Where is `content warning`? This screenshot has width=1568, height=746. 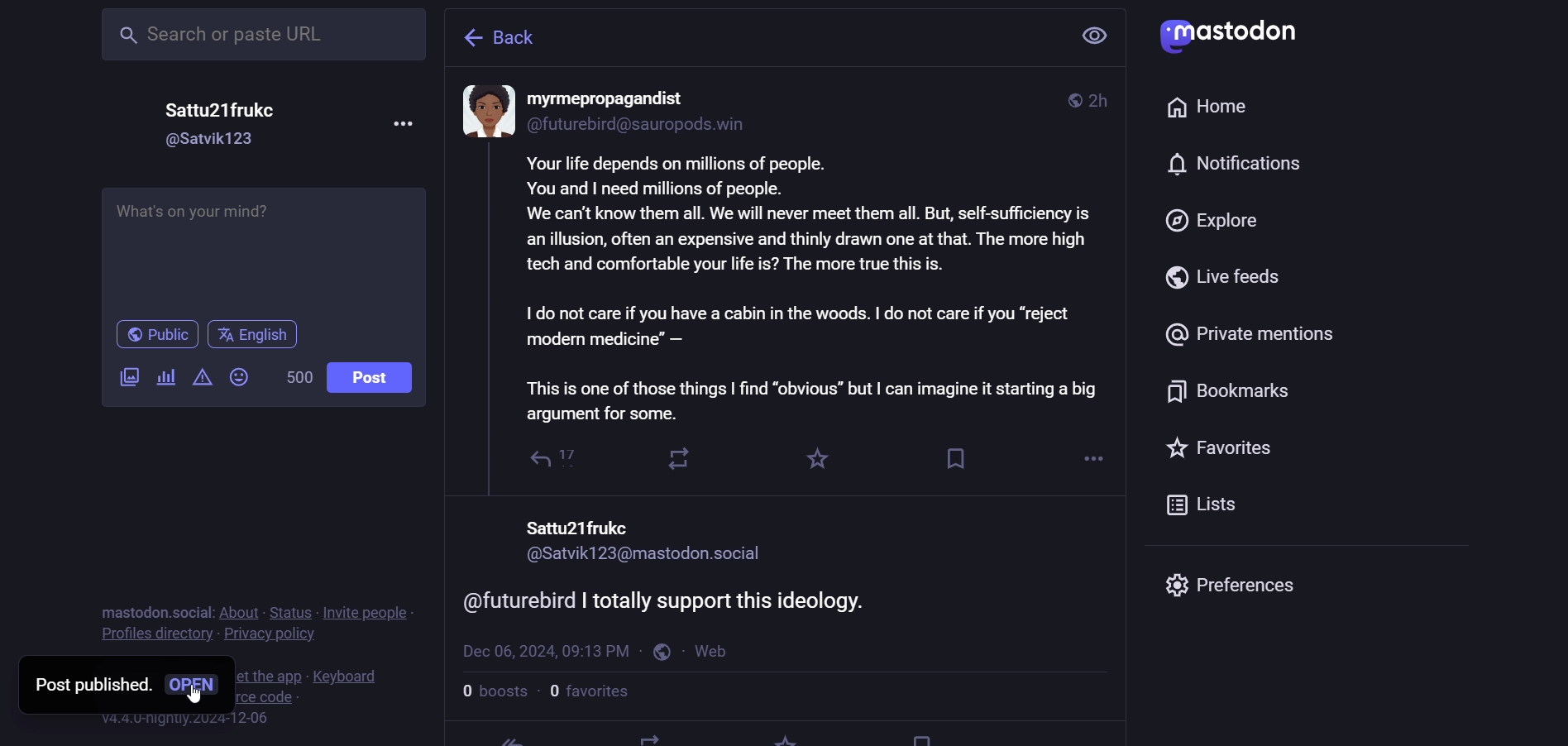
content warning is located at coordinates (200, 379).